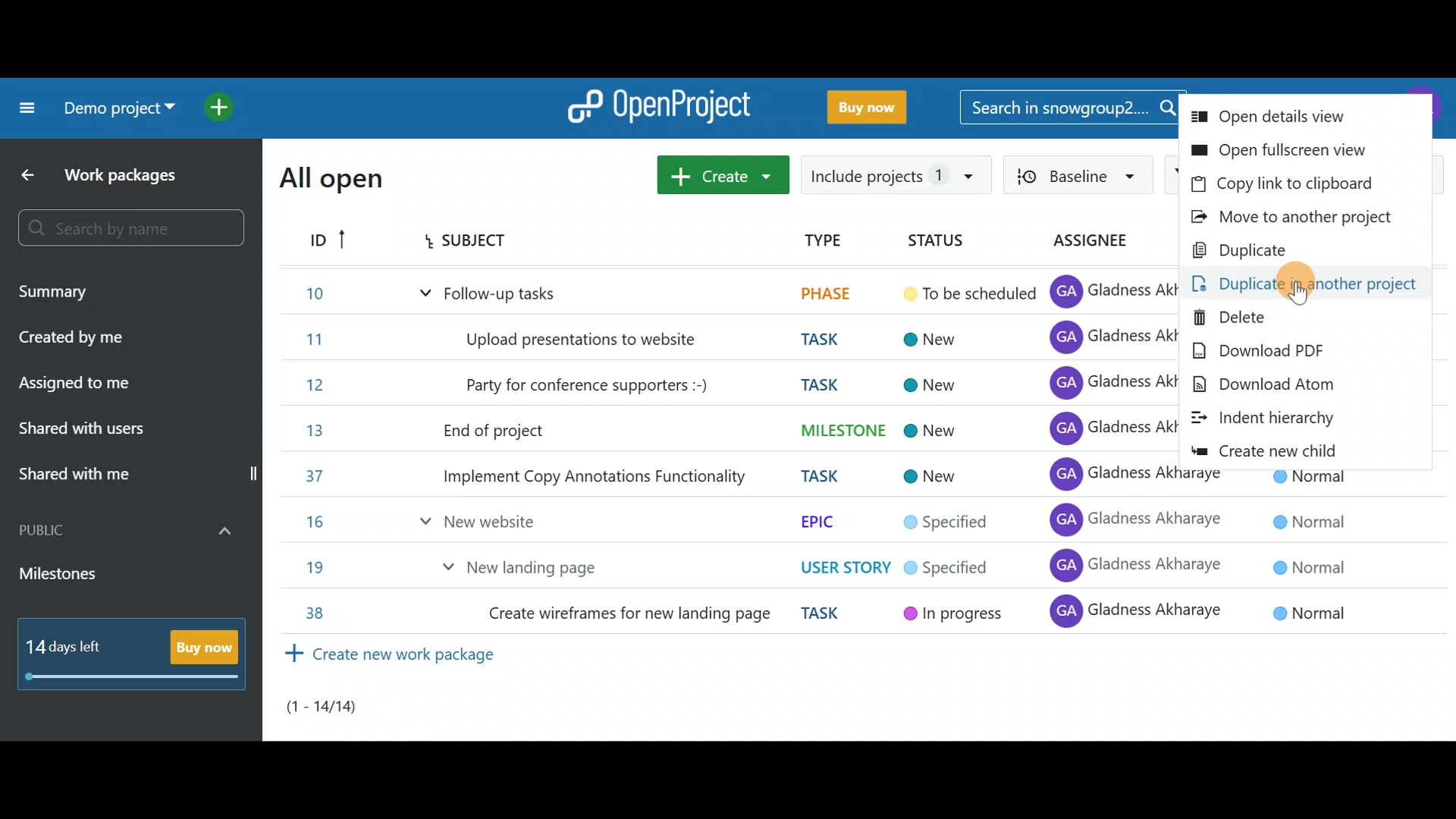 This screenshot has width=1456, height=819. Describe the element at coordinates (831, 616) in the screenshot. I see `TASK` at that location.